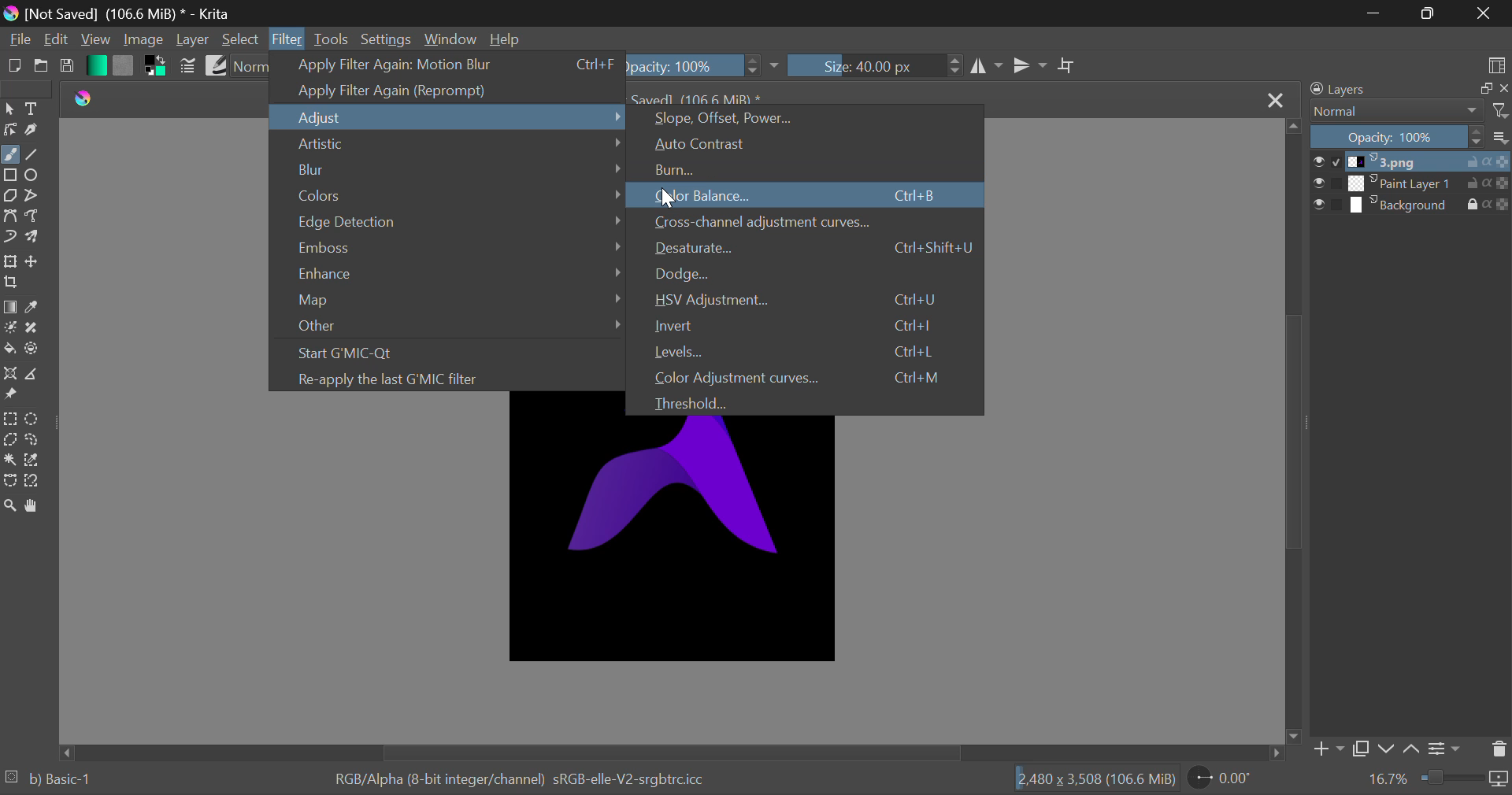  I want to click on size, so click(876, 65).